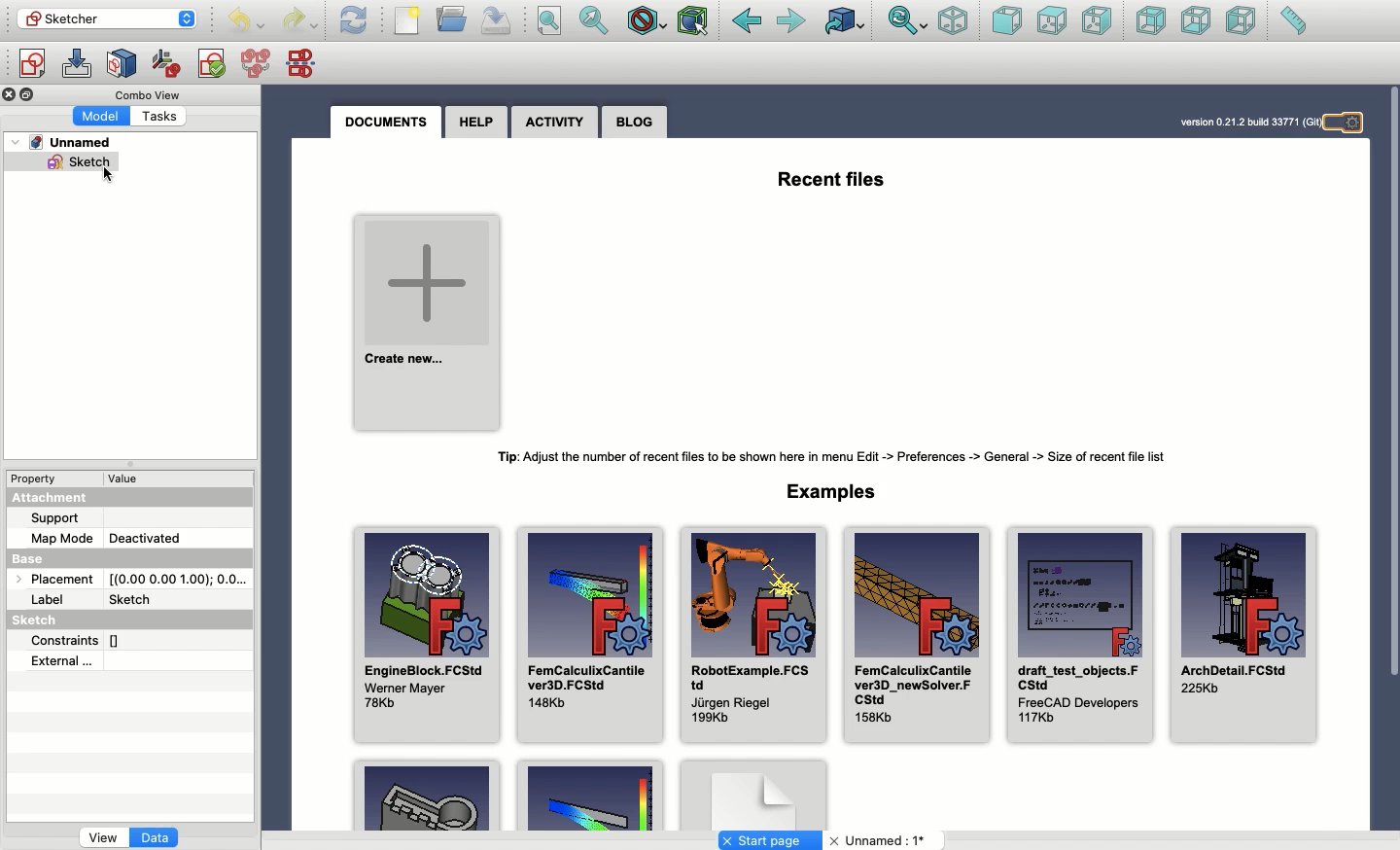 This screenshot has width=1400, height=850. What do you see at coordinates (750, 635) in the screenshot?
I see `RobotExample` at bounding box center [750, 635].